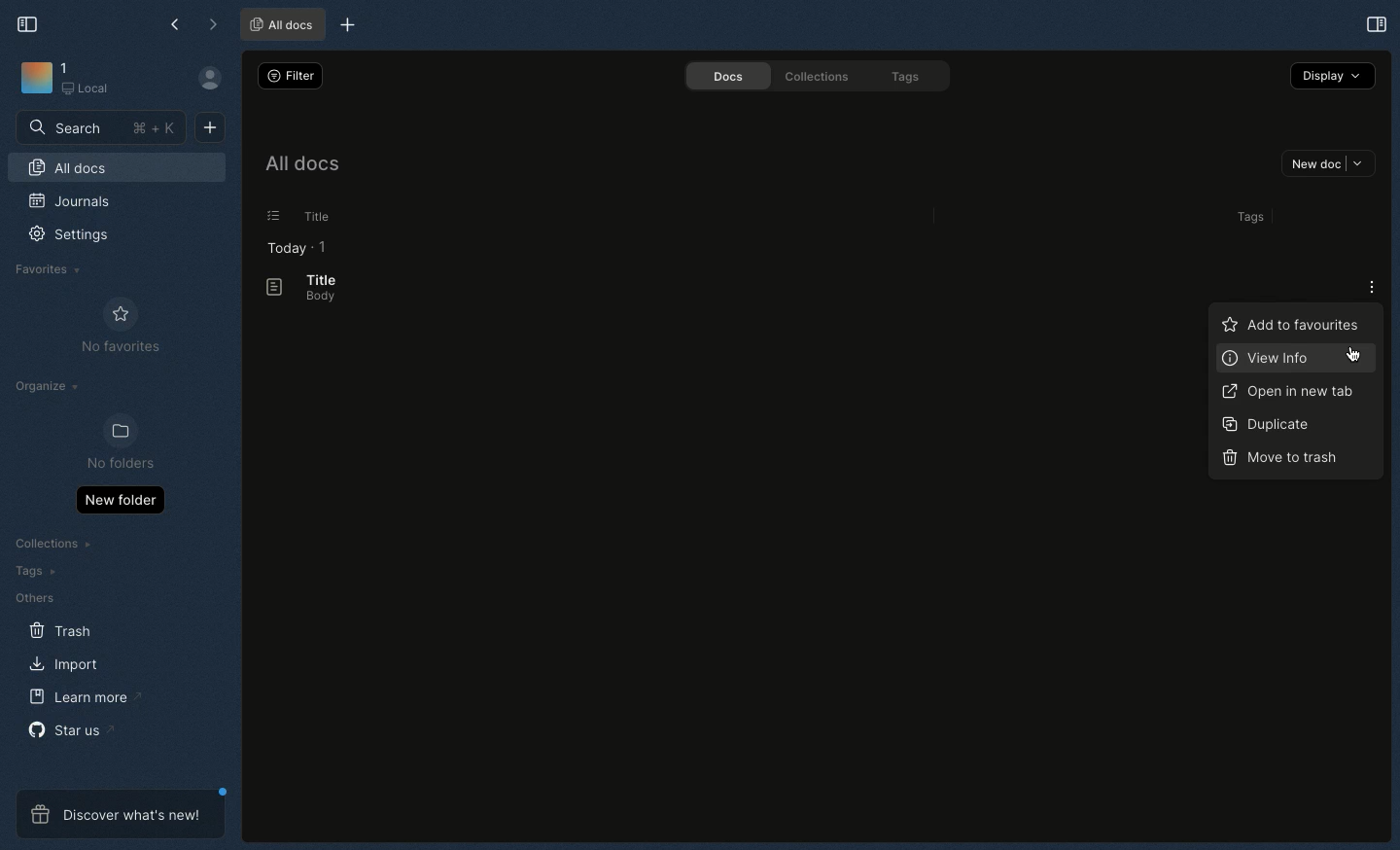  Describe the element at coordinates (1289, 391) in the screenshot. I see `Open in new tab` at that location.